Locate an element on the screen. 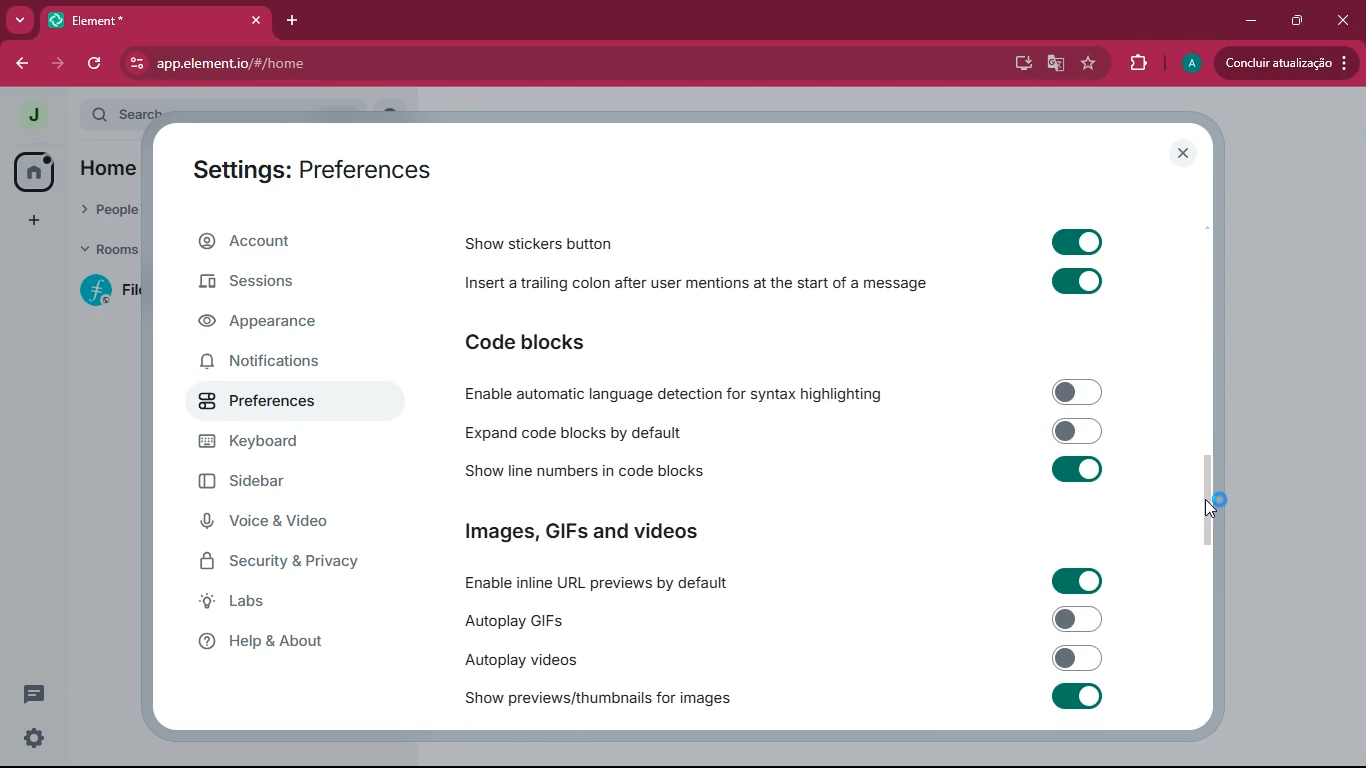  Expand code blocks by default is located at coordinates (575, 433).